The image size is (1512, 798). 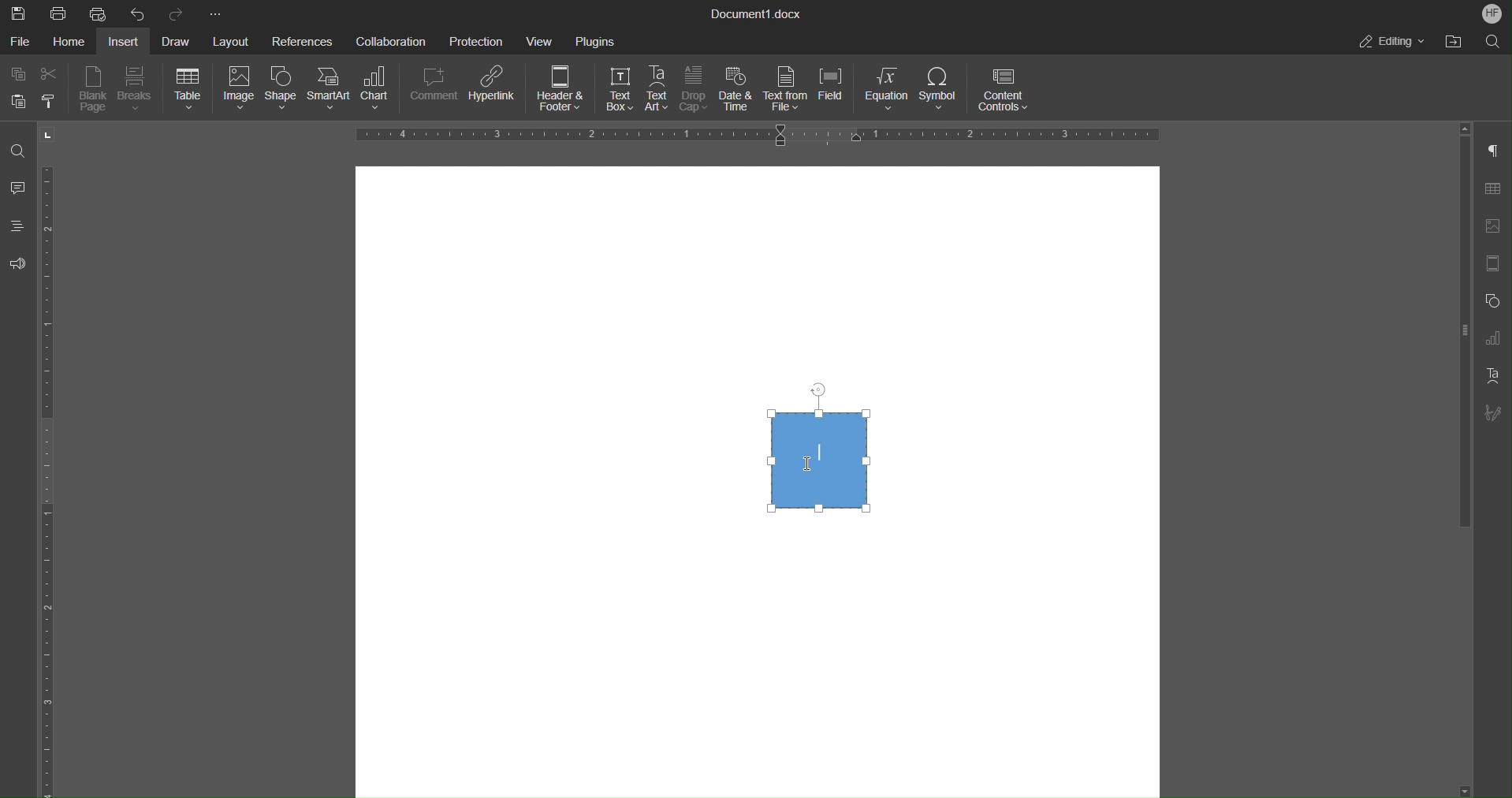 What do you see at coordinates (54, 74) in the screenshot?
I see `Cut` at bounding box center [54, 74].